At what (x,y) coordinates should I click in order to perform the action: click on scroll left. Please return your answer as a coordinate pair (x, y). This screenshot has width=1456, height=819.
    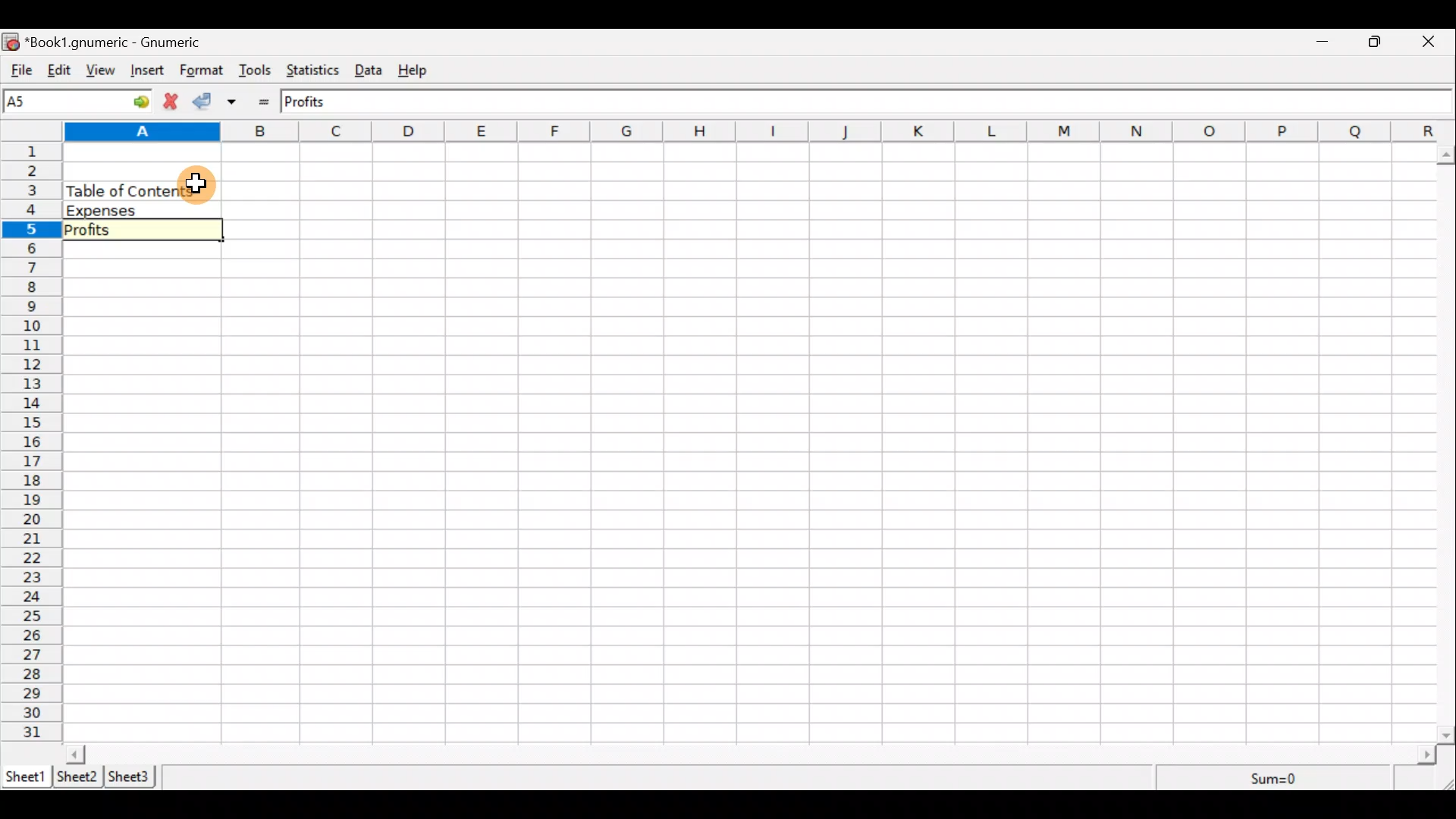
    Looking at the image, I should click on (75, 754).